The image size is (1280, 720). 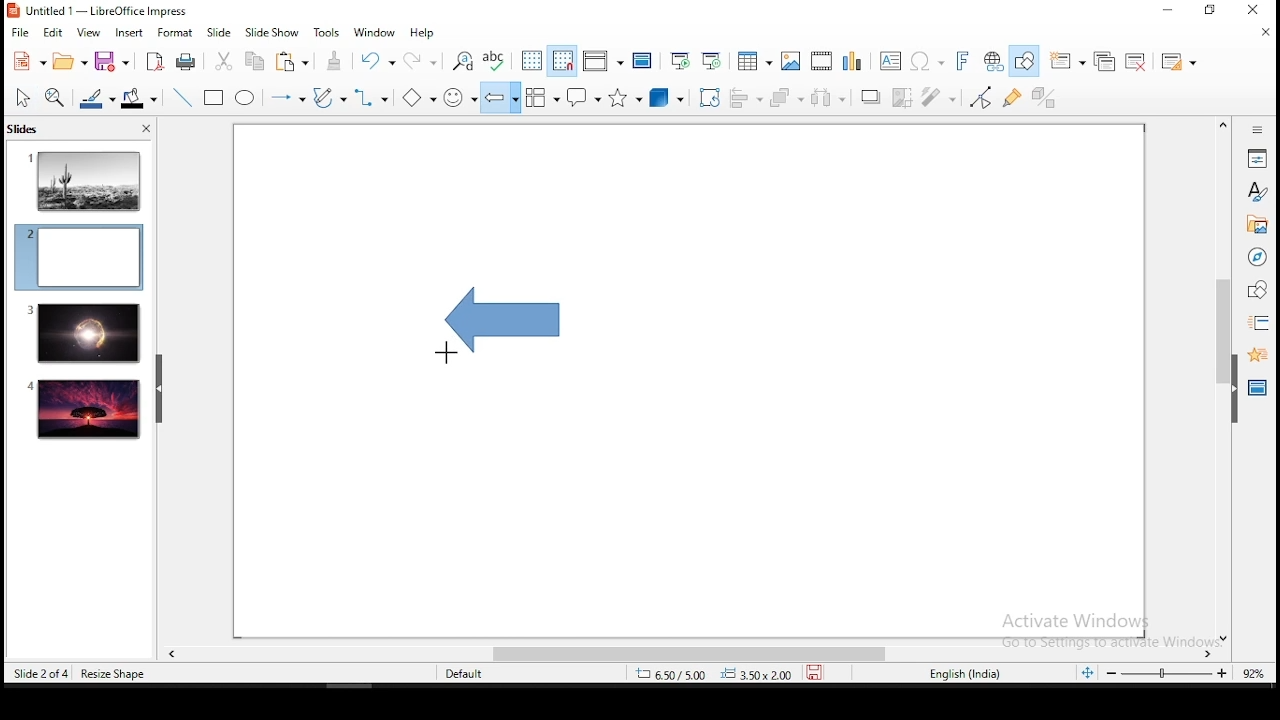 I want to click on save, so click(x=819, y=672).